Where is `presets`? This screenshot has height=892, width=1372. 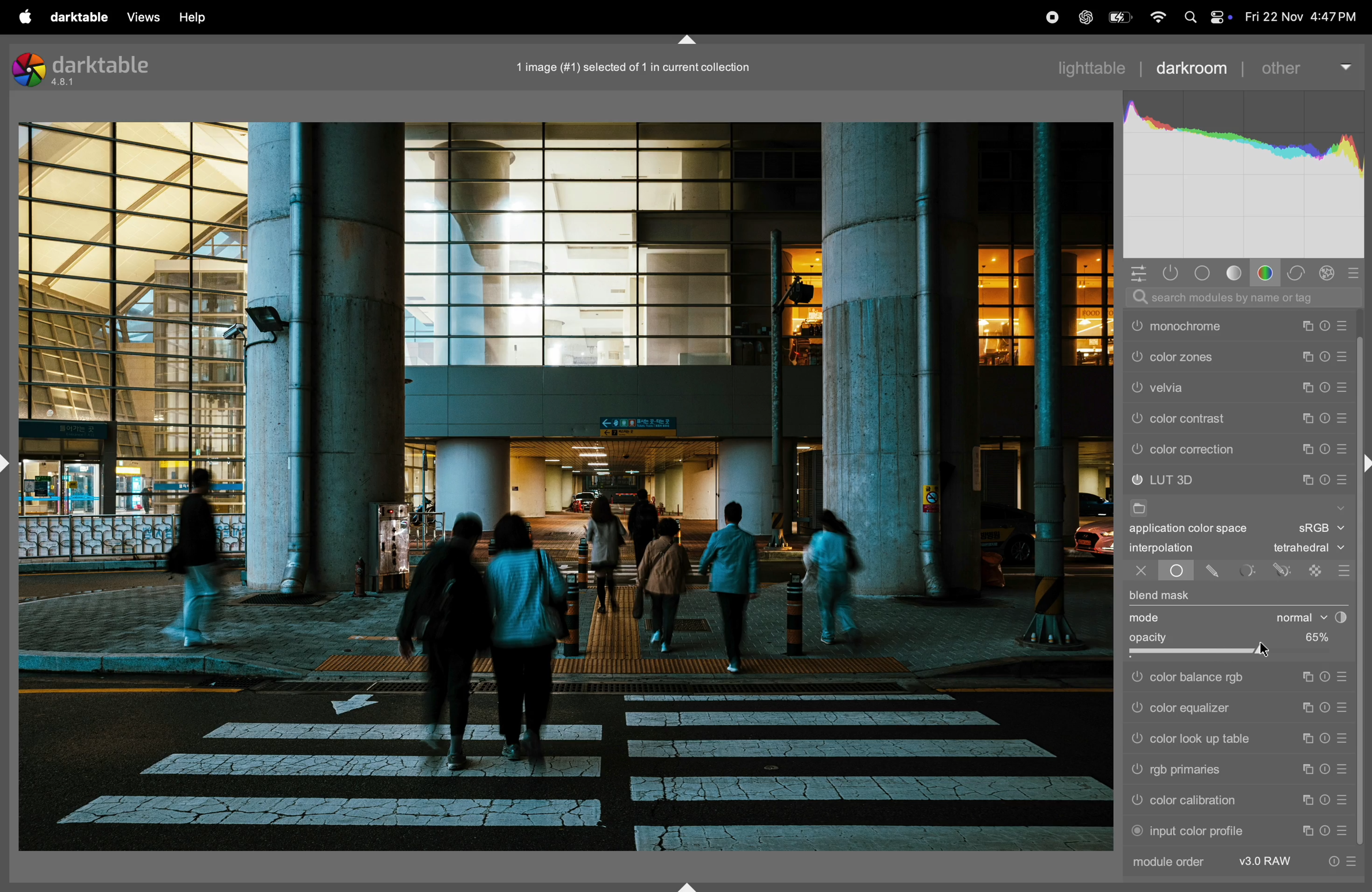 presets is located at coordinates (1356, 273).